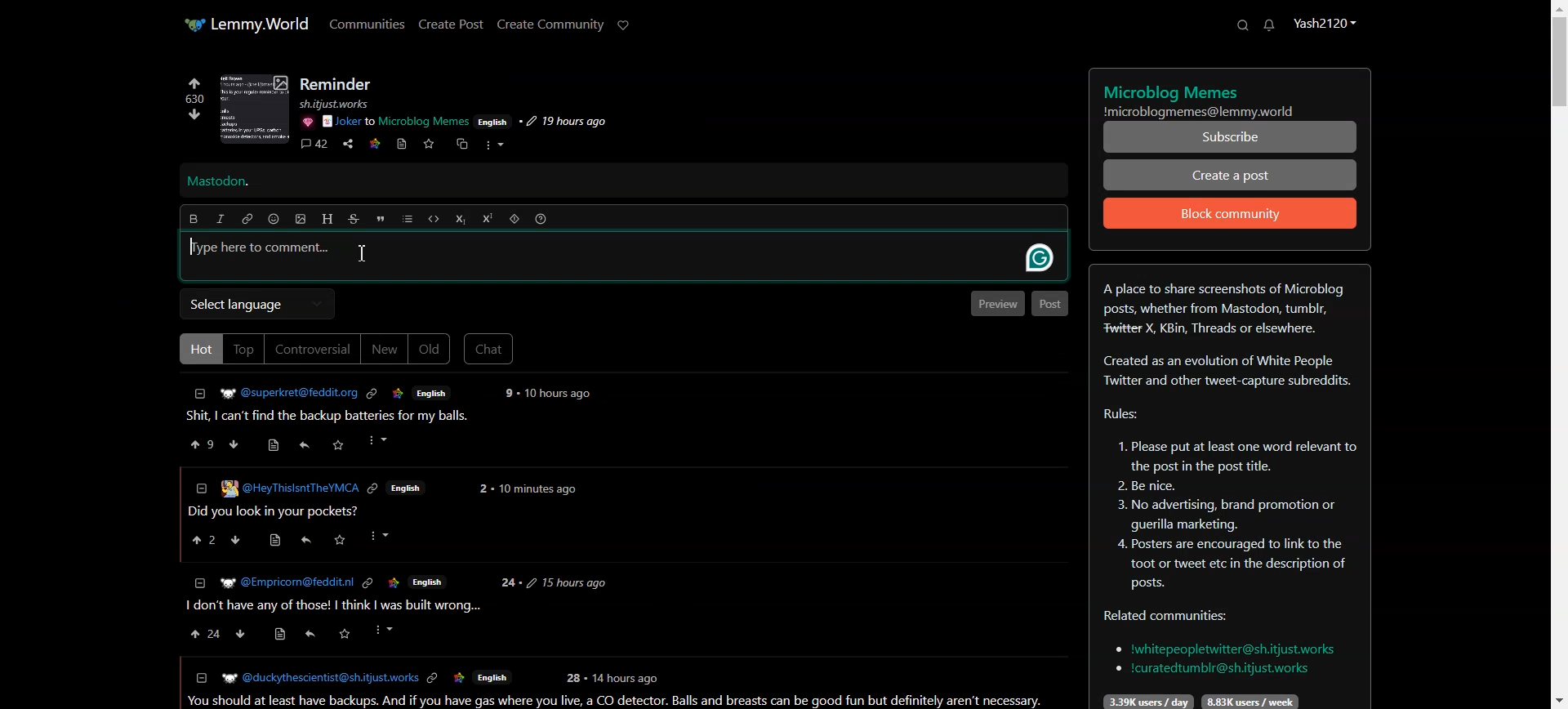 The image size is (1568, 709). What do you see at coordinates (332, 606) in the screenshot?
I see `I don’t have any of those! | think | was built wrong...` at bounding box center [332, 606].